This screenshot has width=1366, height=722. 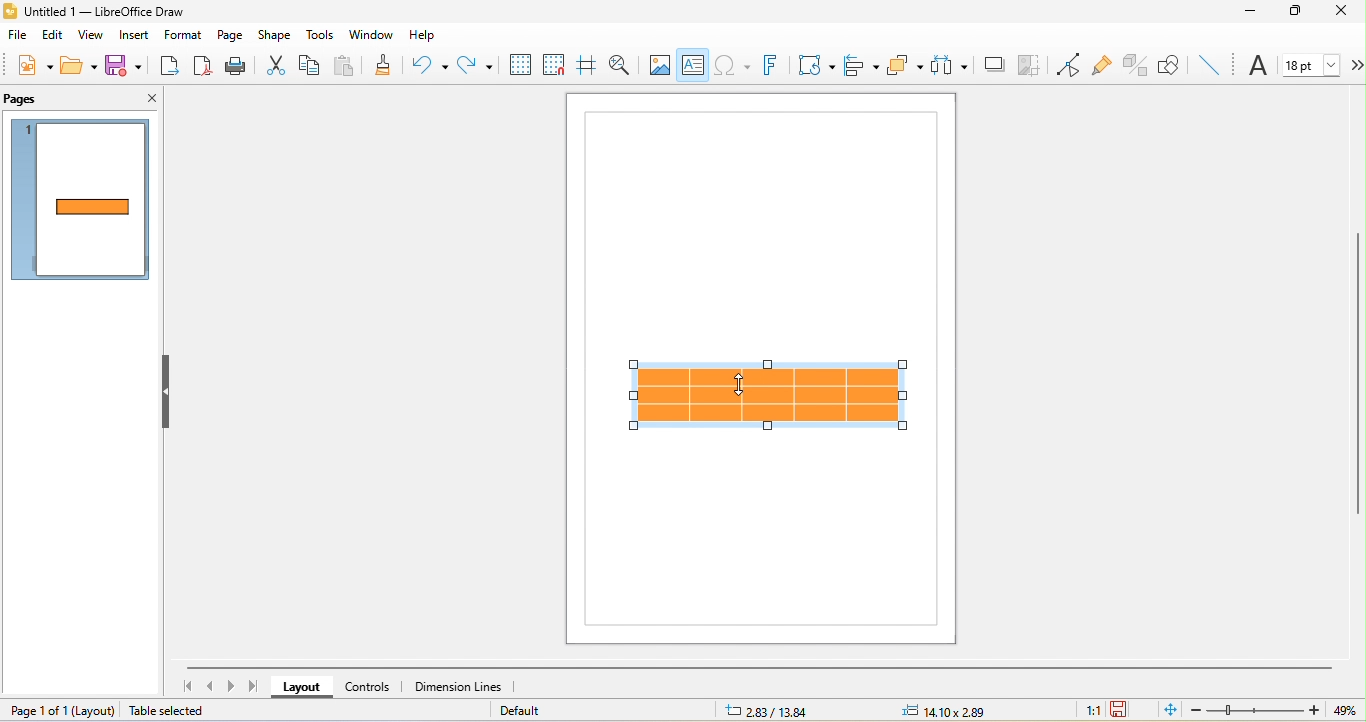 I want to click on helpline while moving, so click(x=587, y=65).